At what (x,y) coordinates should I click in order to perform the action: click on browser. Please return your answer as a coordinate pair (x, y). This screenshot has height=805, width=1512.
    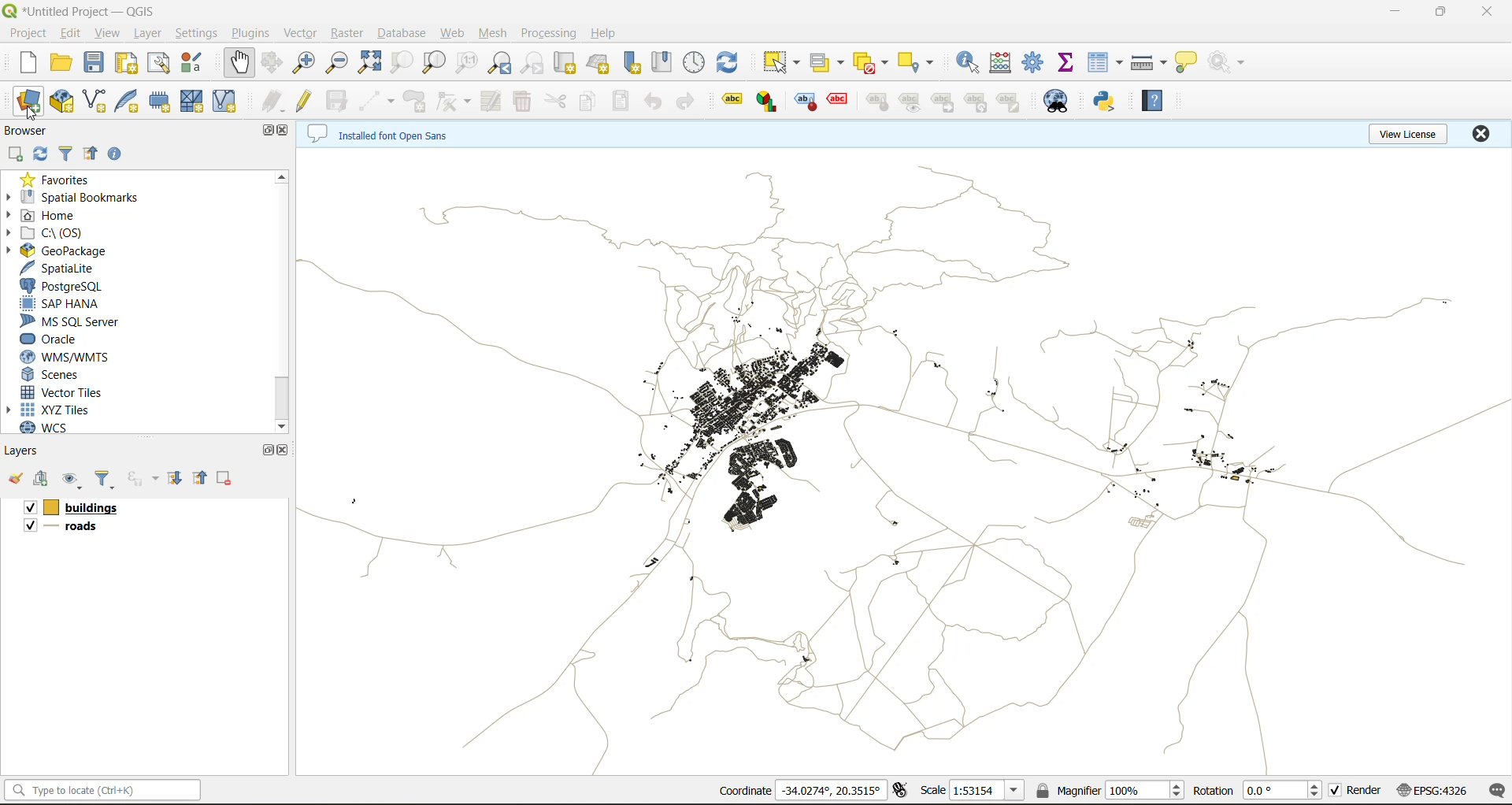
    Looking at the image, I should click on (32, 133).